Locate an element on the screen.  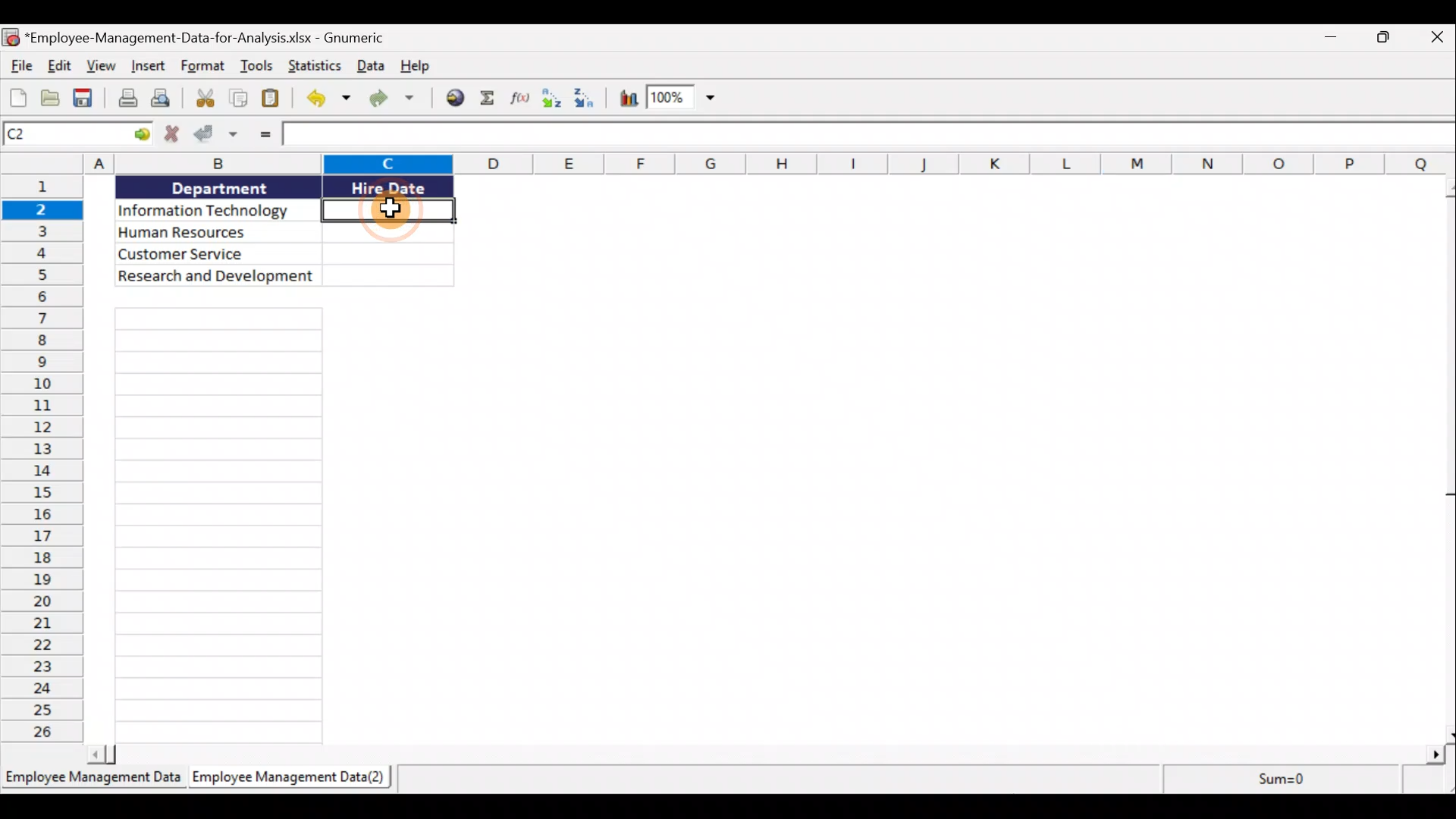
Print preview is located at coordinates (165, 99).